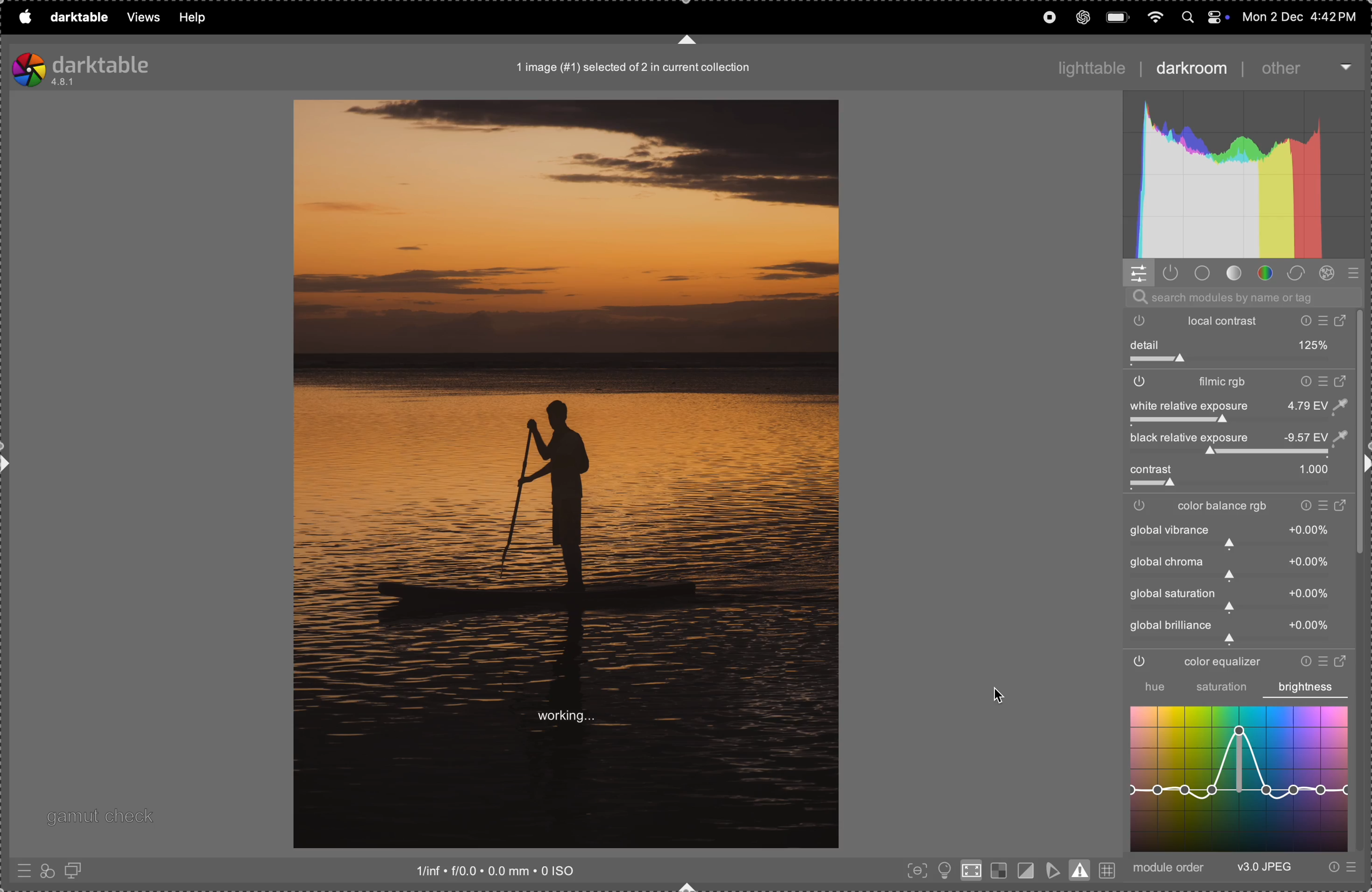  What do you see at coordinates (1203, 16) in the screenshot?
I see `apple widgets` at bounding box center [1203, 16].